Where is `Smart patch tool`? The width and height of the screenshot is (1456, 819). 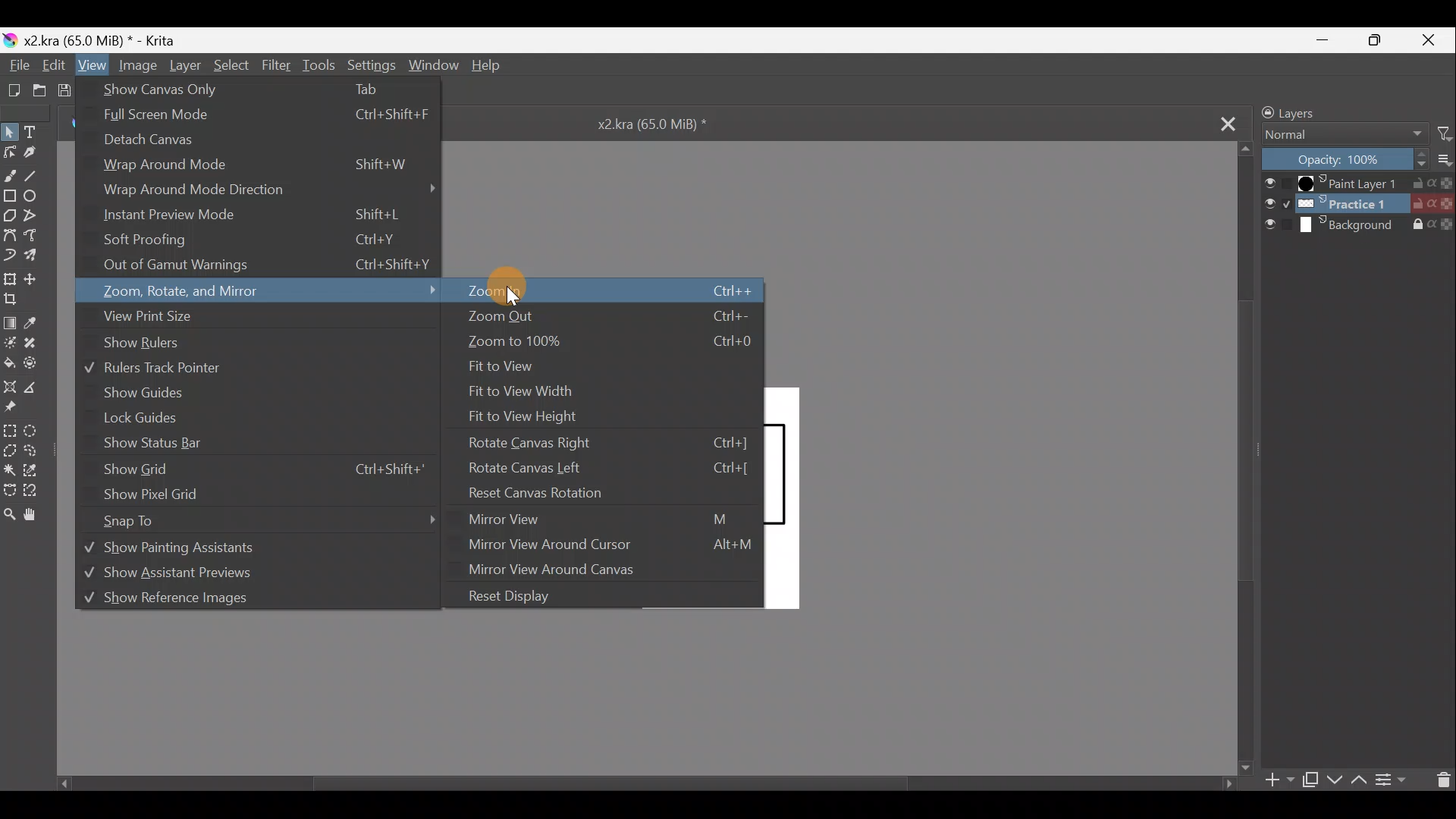
Smart patch tool is located at coordinates (38, 344).